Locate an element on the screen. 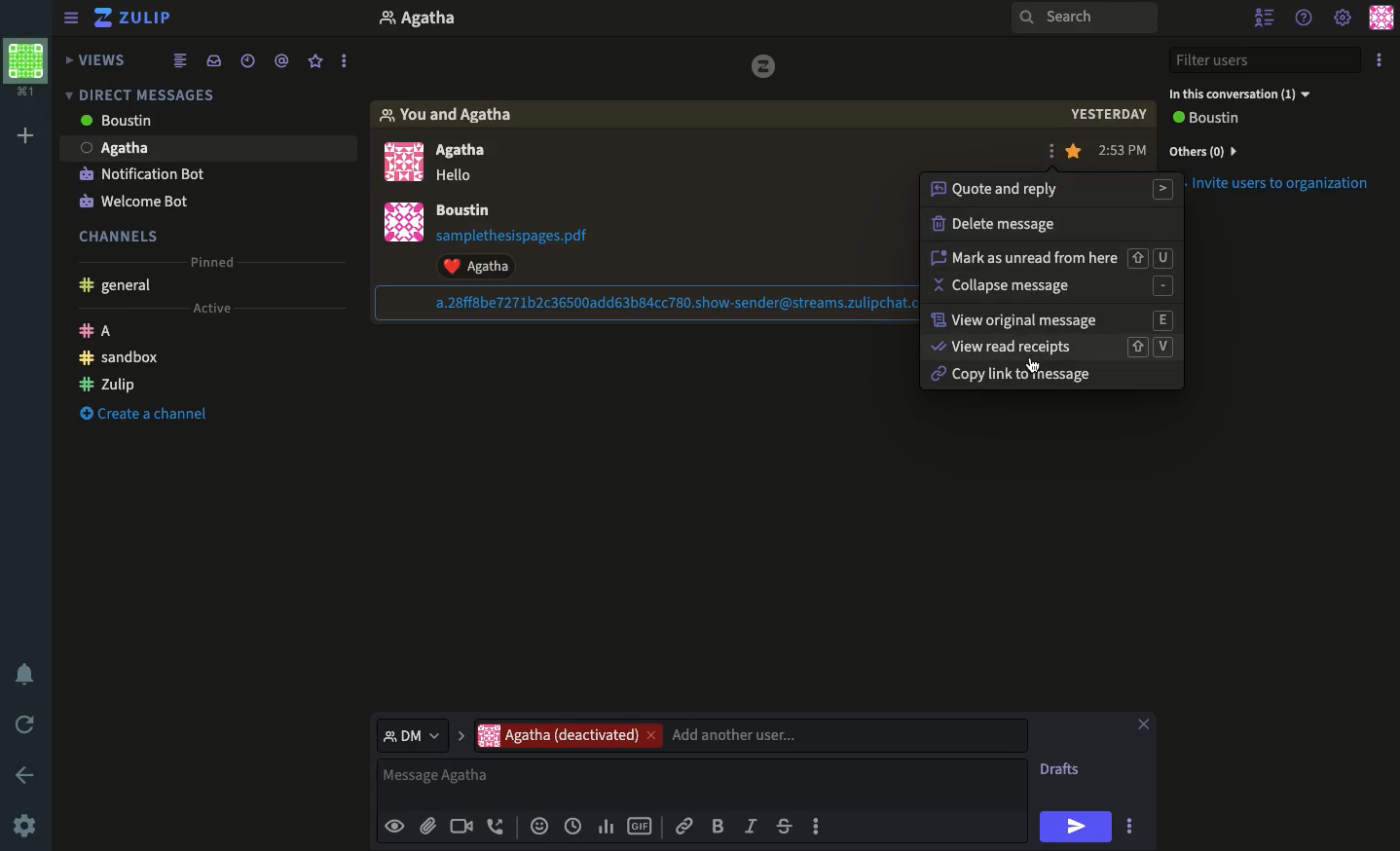 This screenshot has width=1400, height=851. View all users is located at coordinates (1223, 120).